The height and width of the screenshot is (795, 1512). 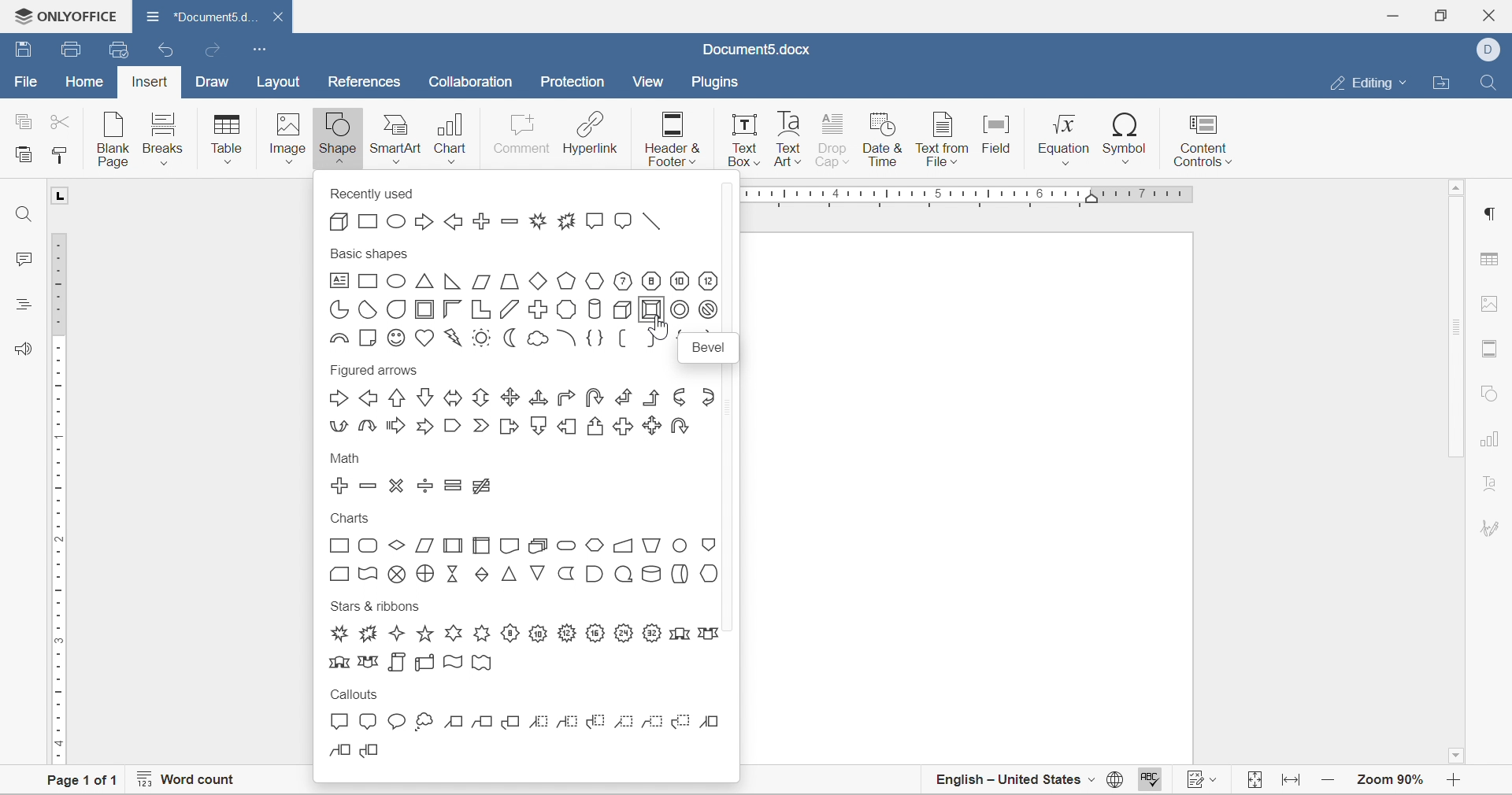 I want to click on layout, so click(x=279, y=83).